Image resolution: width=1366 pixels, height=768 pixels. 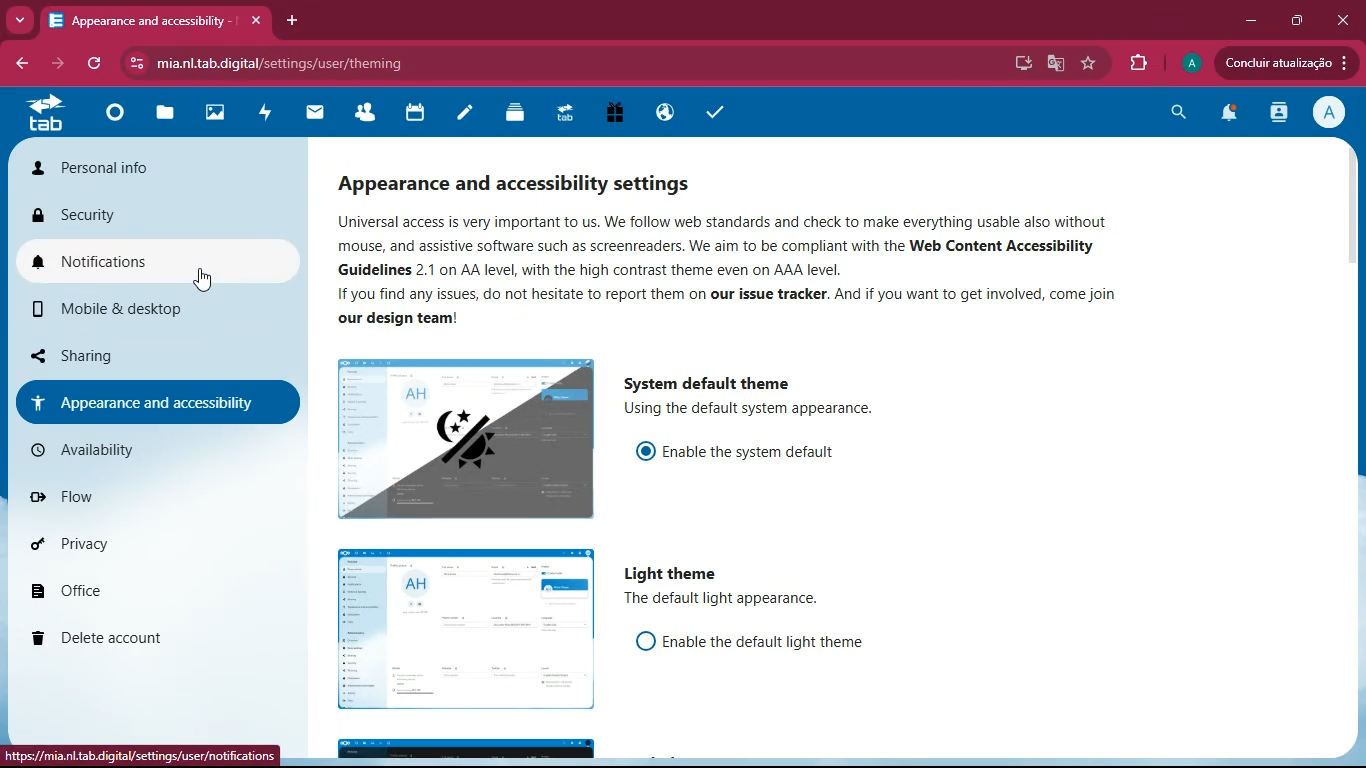 What do you see at coordinates (136, 312) in the screenshot?
I see `mobile & desktop` at bounding box center [136, 312].